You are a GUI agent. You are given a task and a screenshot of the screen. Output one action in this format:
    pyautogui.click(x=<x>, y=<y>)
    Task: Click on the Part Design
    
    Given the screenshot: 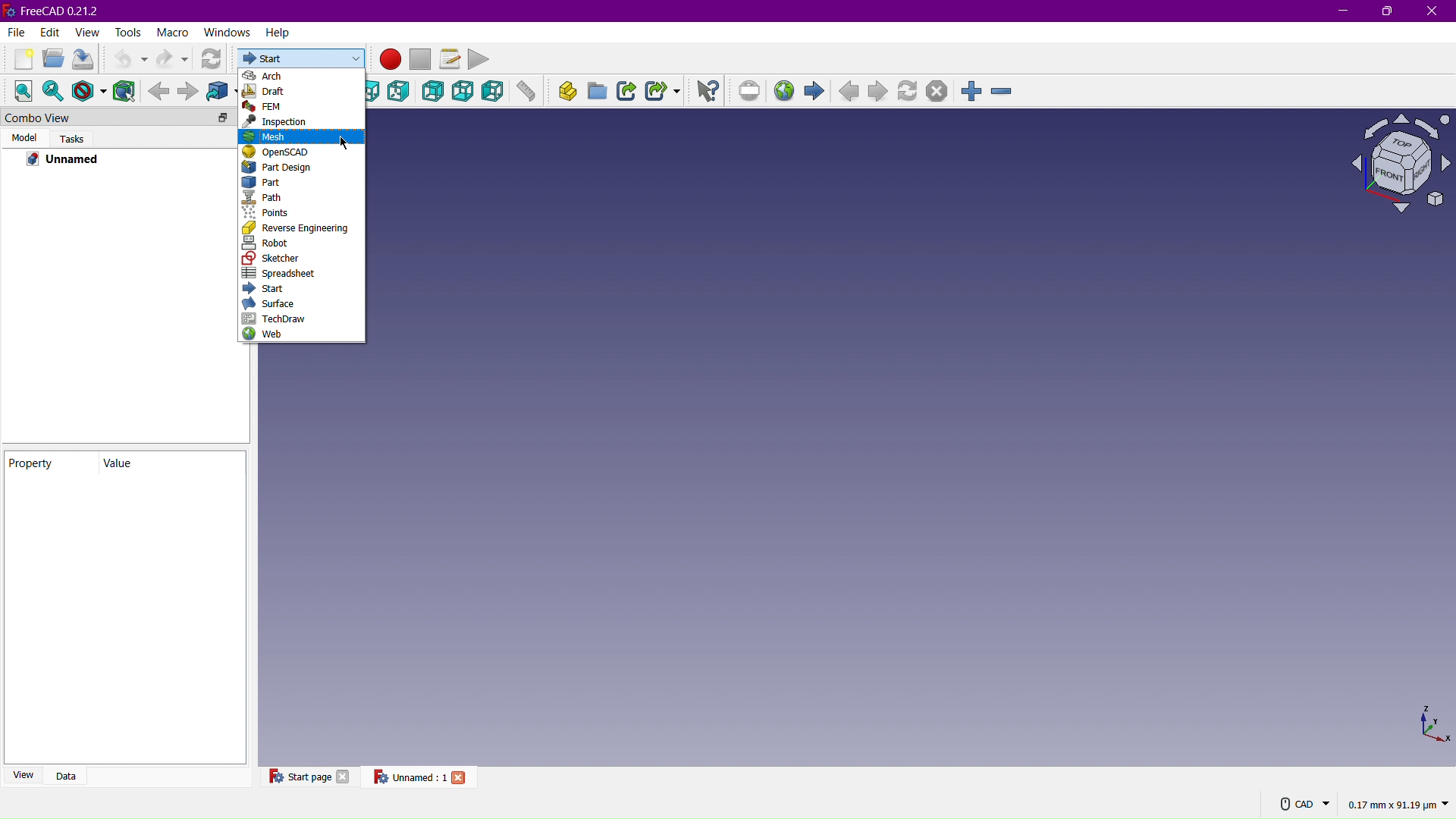 What is the action you would take?
    pyautogui.click(x=302, y=168)
    